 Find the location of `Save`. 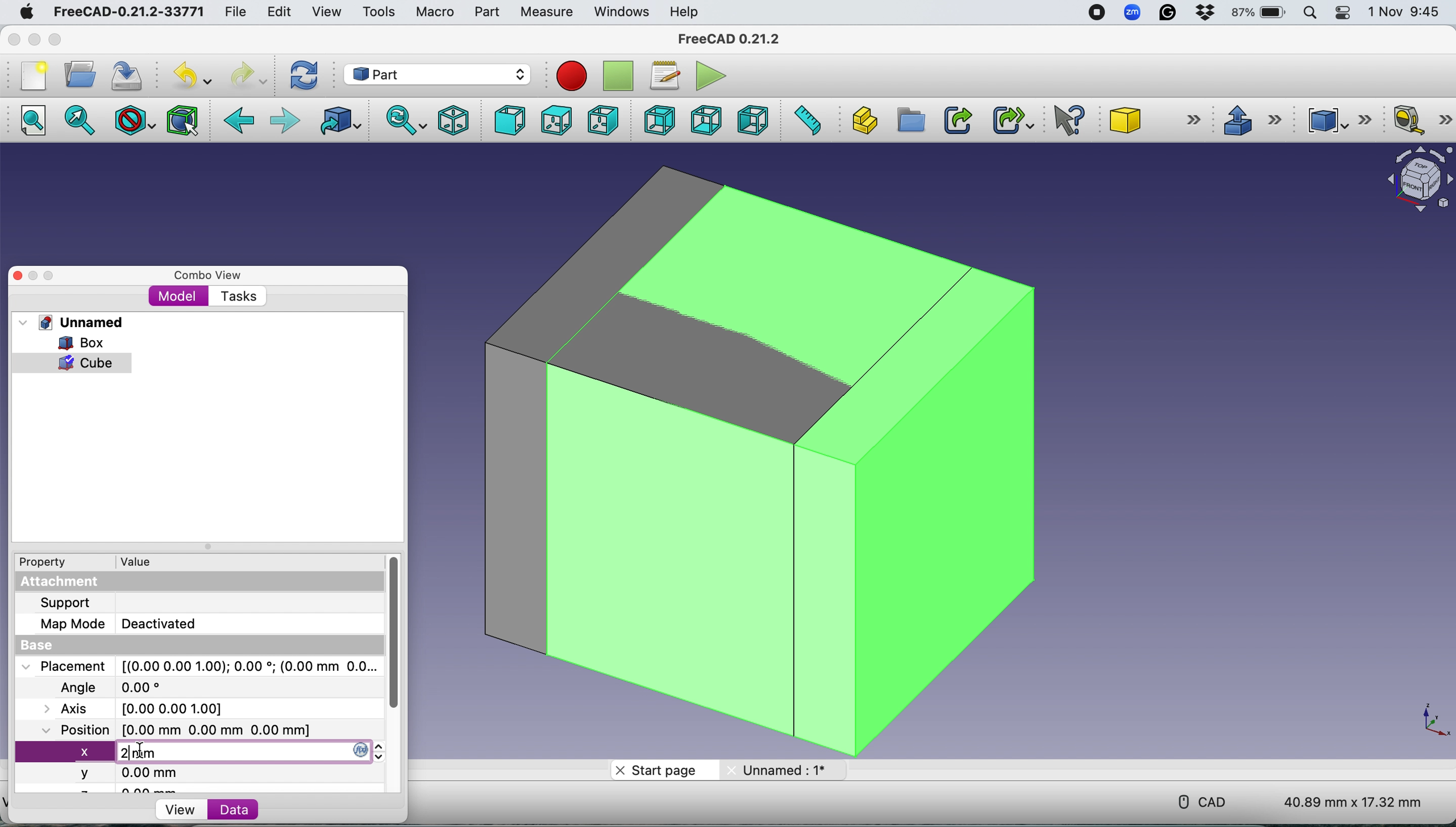

Save is located at coordinates (130, 73).